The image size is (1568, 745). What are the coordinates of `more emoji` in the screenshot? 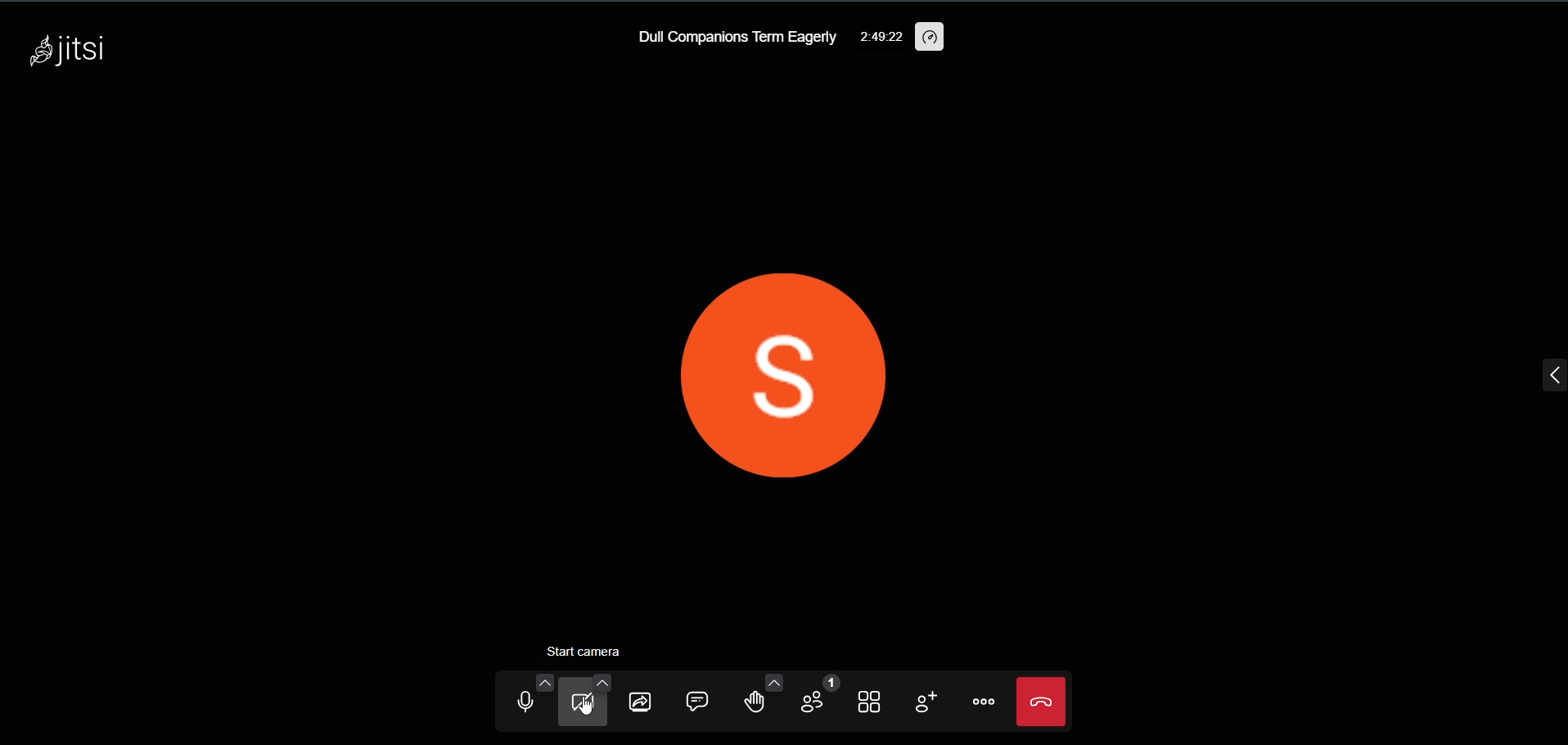 It's located at (773, 680).